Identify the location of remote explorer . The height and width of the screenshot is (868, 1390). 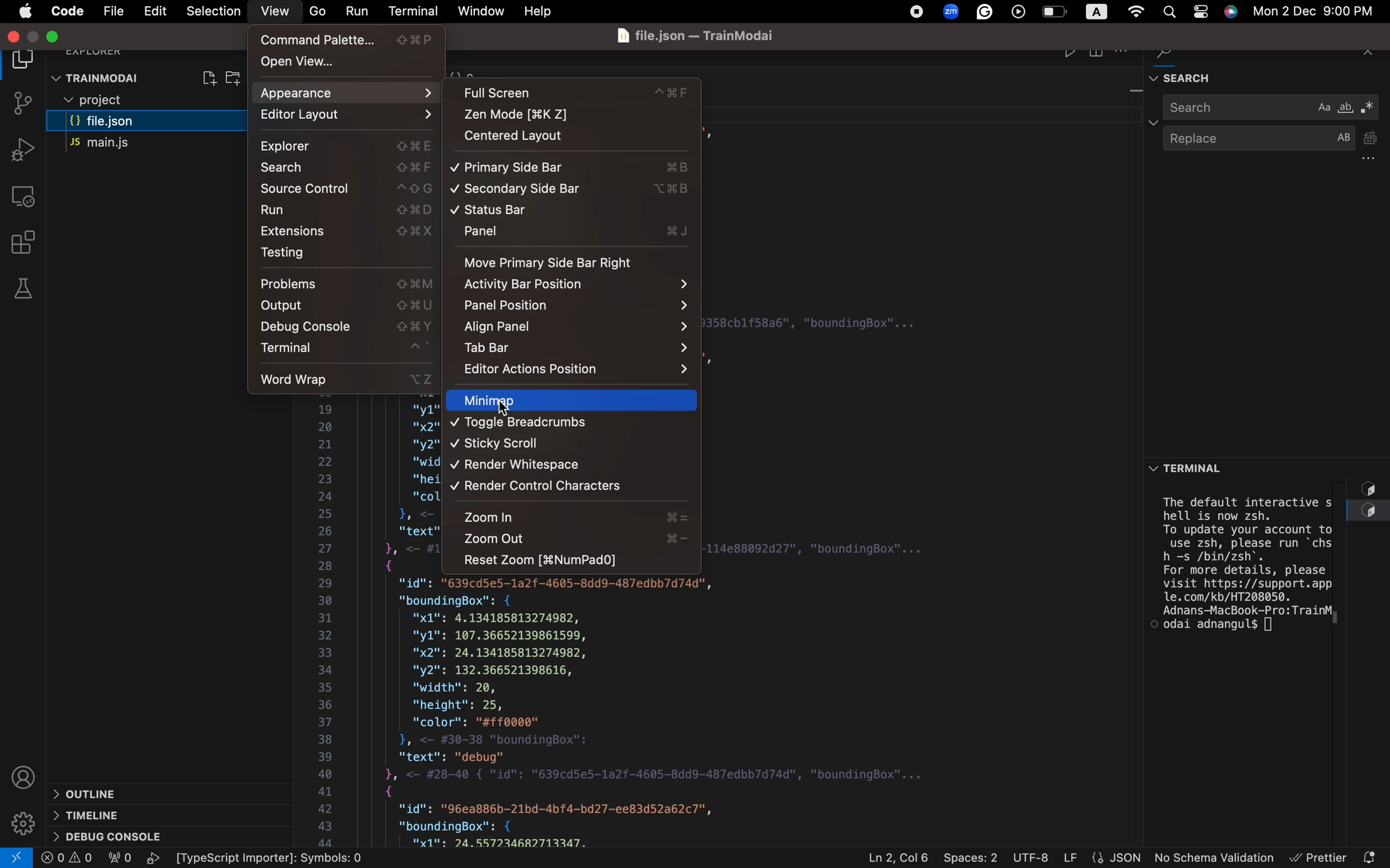
(25, 196).